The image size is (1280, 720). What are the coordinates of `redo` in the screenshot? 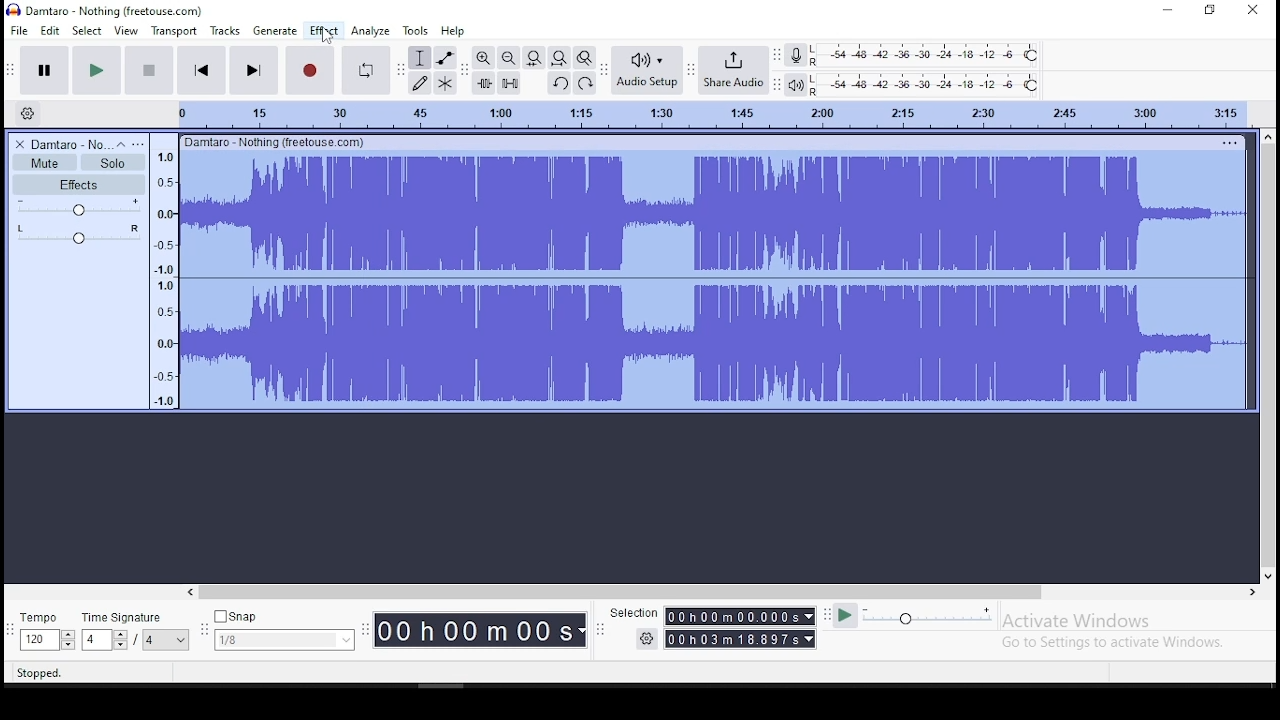 It's located at (584, 83).